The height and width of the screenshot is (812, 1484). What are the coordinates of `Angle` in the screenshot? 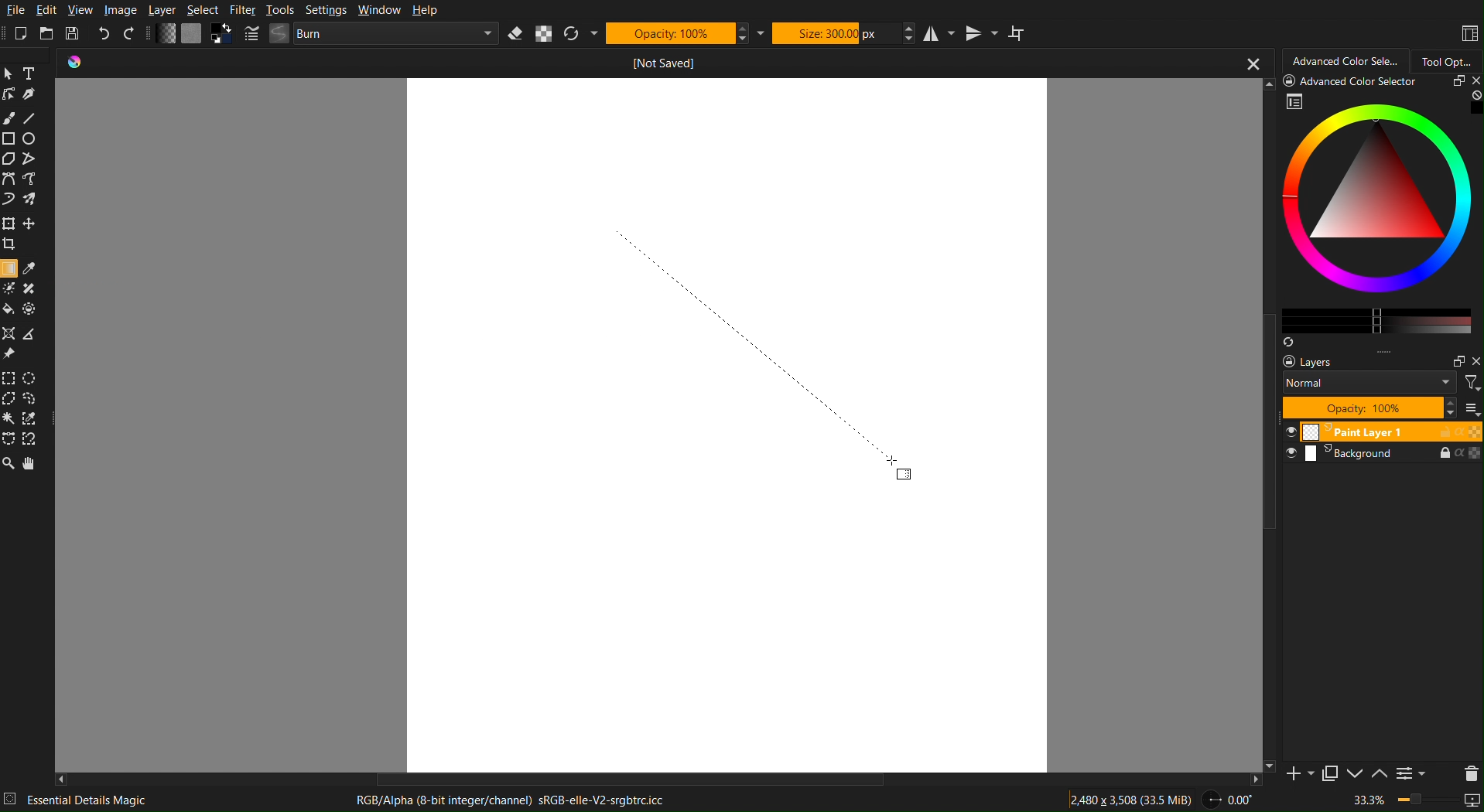 It's located at (1229, 800).